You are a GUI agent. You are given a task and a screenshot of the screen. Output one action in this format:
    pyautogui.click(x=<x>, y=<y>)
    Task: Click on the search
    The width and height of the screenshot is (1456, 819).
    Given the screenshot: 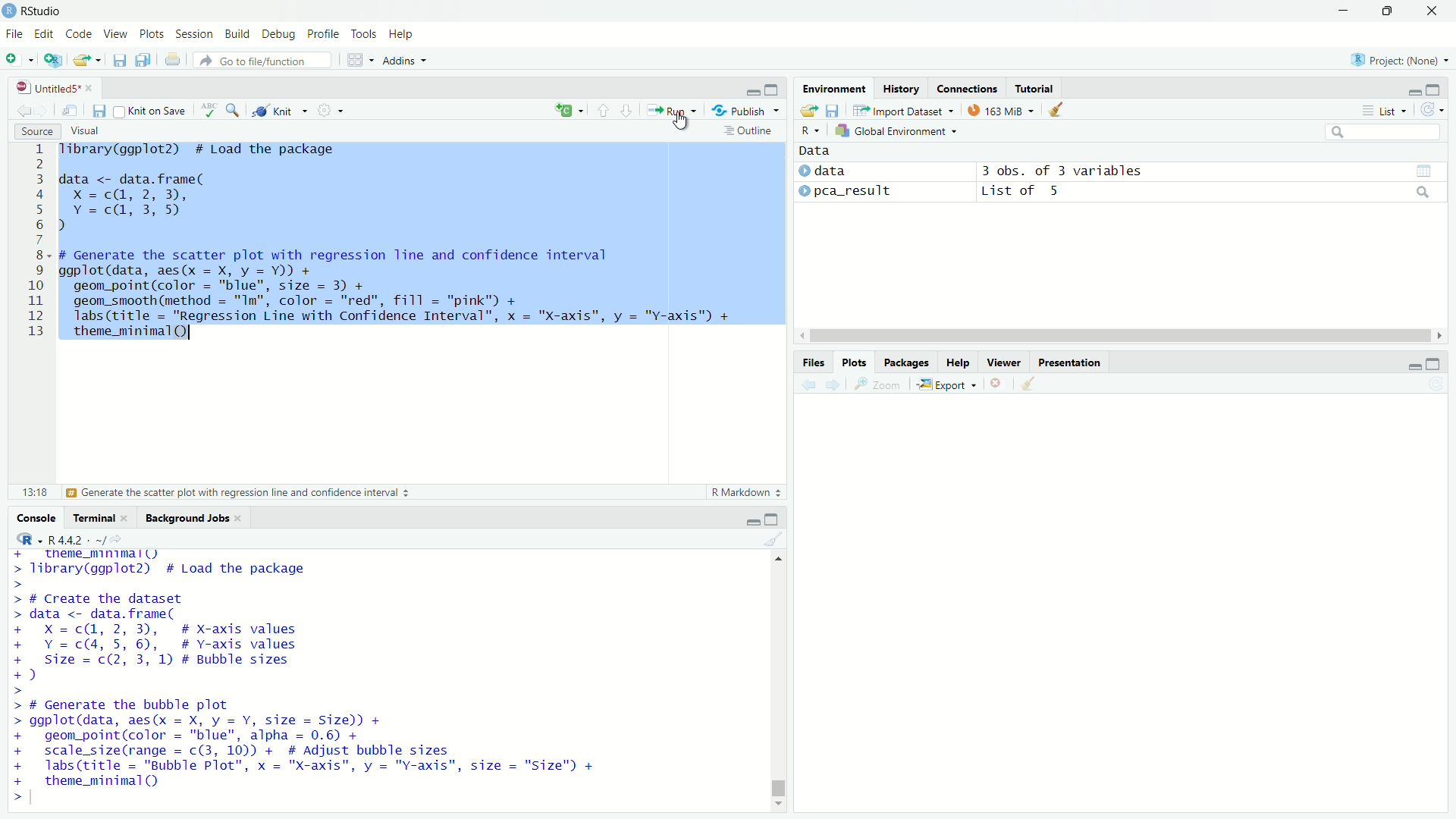 What is the action you would take?
    pyautogui.click(x=1423, y=193)
    